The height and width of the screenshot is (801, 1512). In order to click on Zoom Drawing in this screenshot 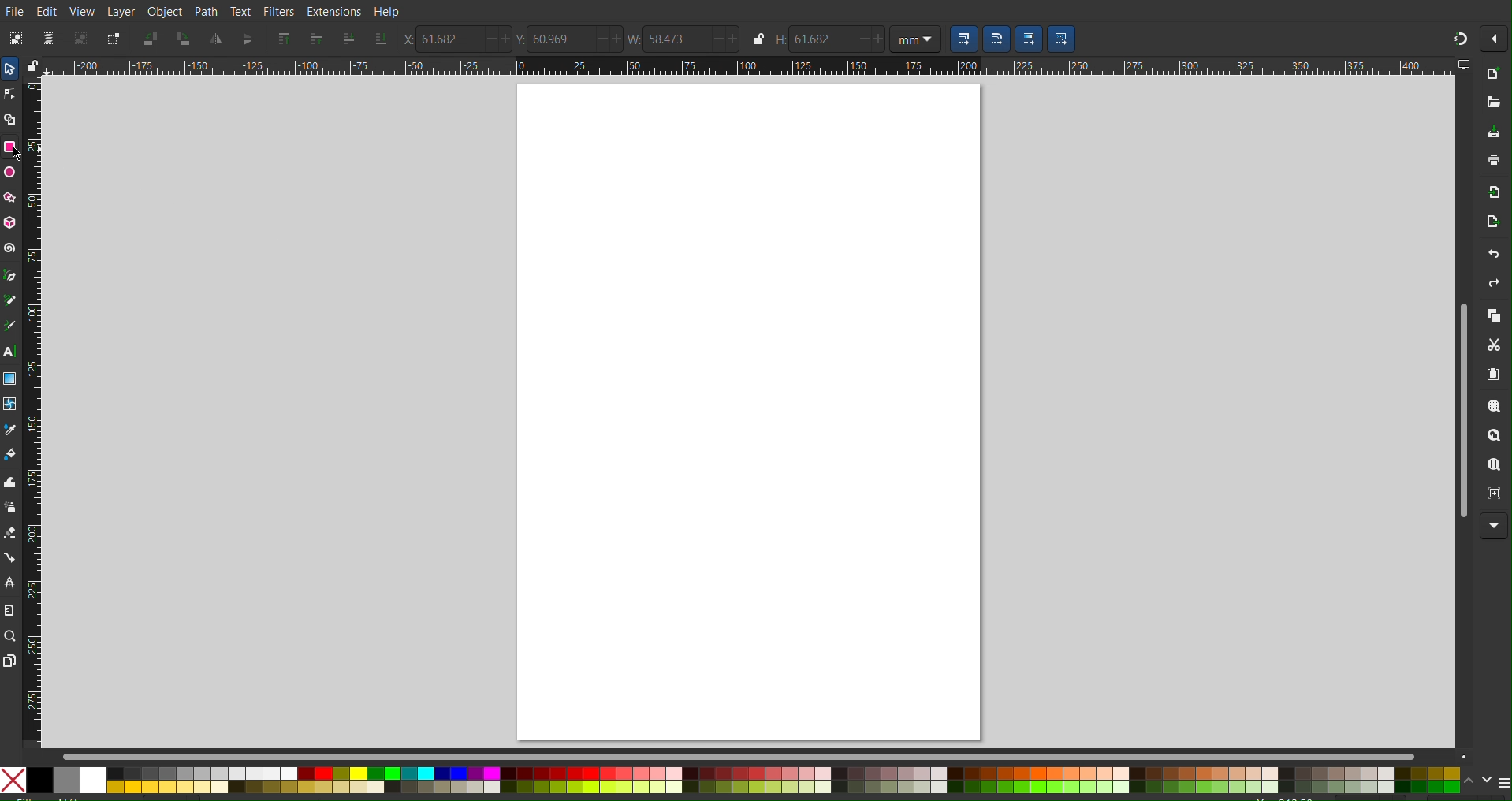, I will do `click(1496, 438)`.